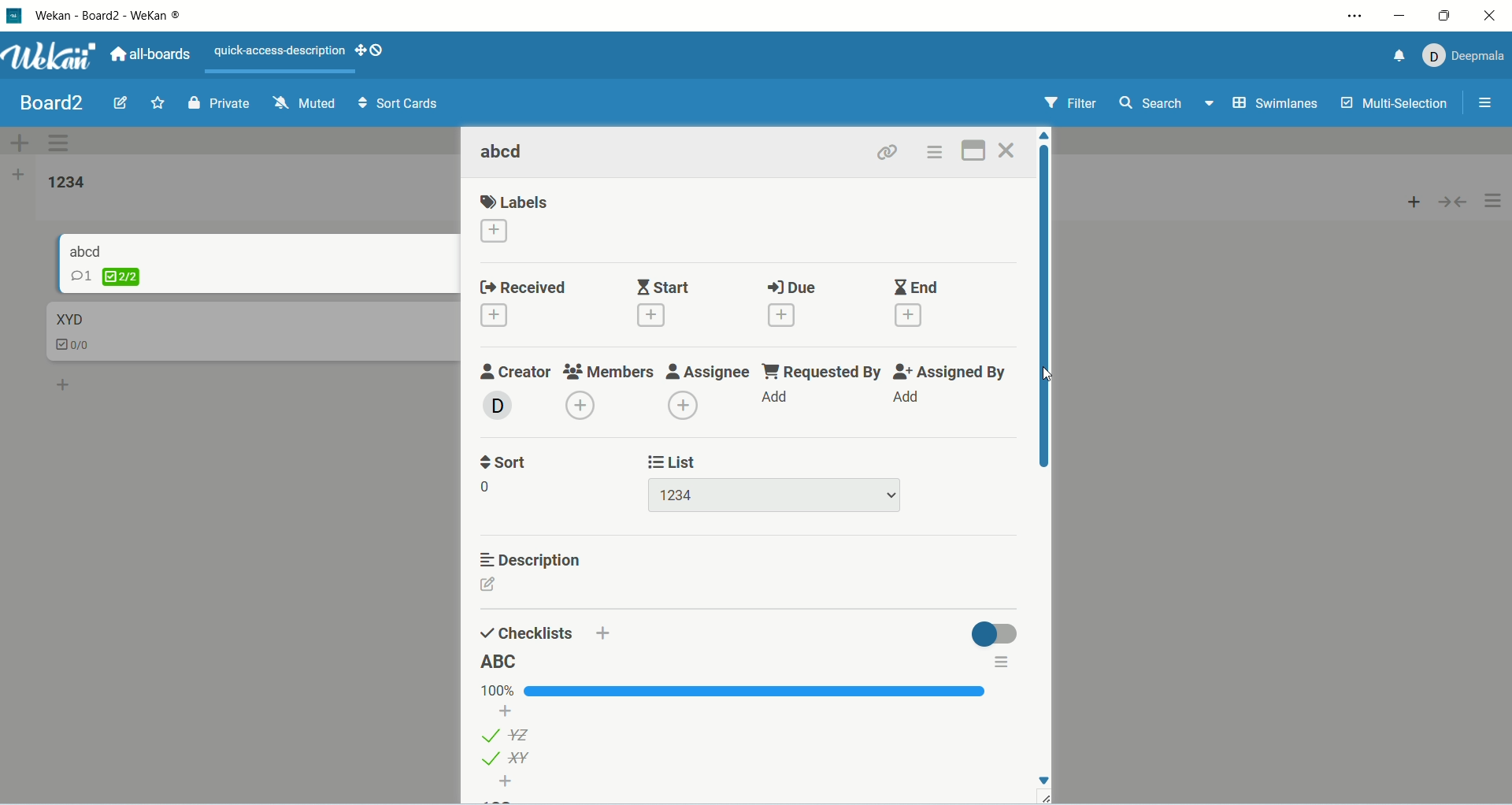  Describe the element at coordinates (972, 152) in the screenshot. I see `maximize` at that location.